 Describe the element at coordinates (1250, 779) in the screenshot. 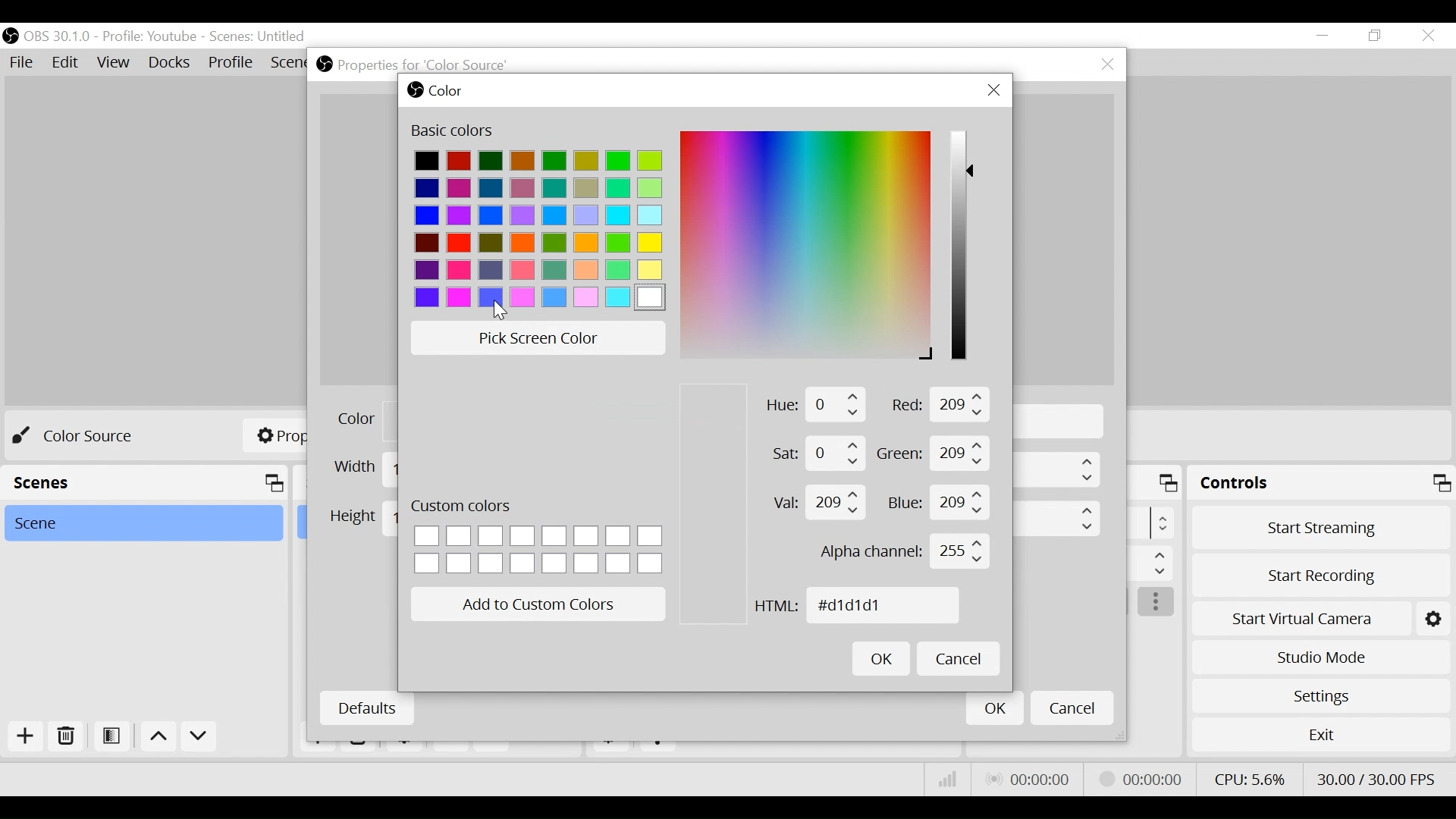

I see `CPU Usage` at that location.